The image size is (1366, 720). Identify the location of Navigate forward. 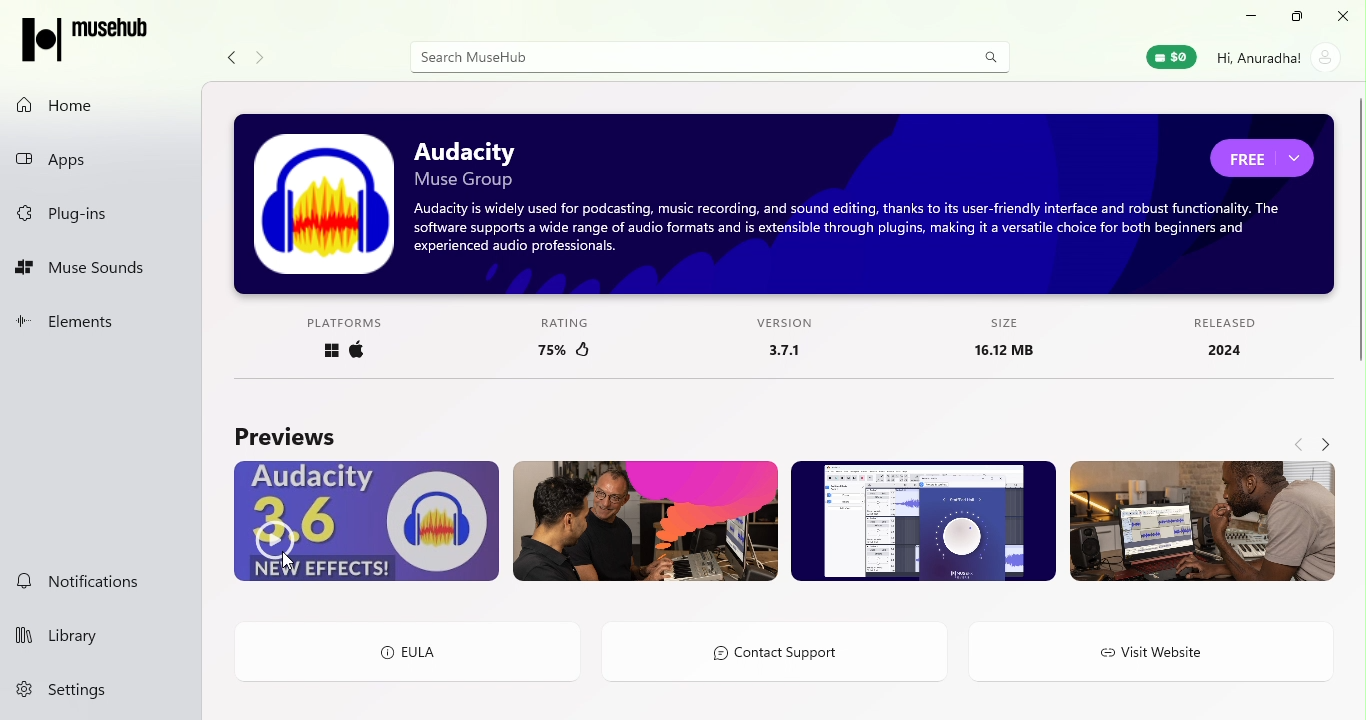
(1324, 441).